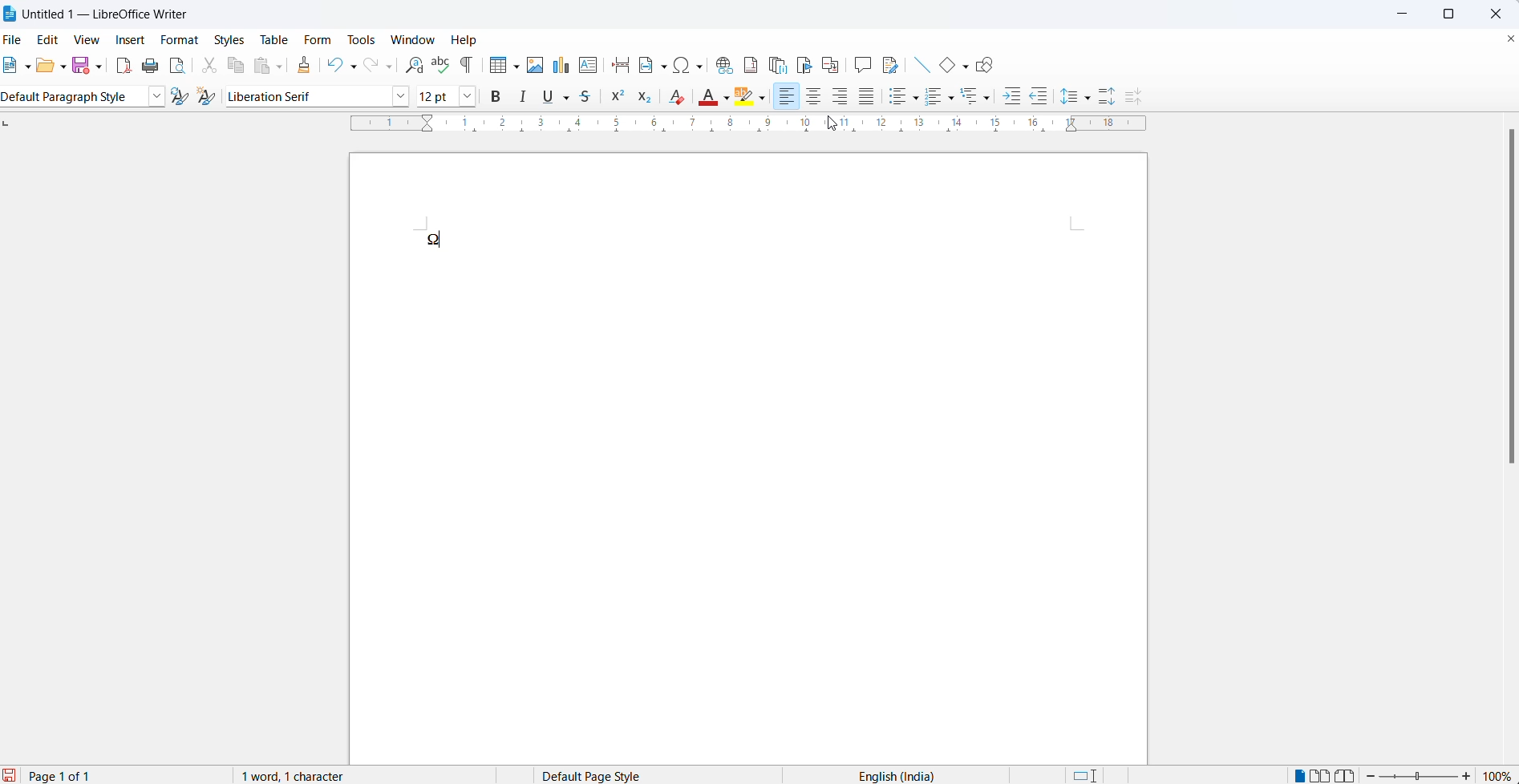 This screenshot has width=1519, height=784. What do you see at coordinates (1088, 775) in the screenshot?
I see `standard selection` at bounding box center [1088, 775].